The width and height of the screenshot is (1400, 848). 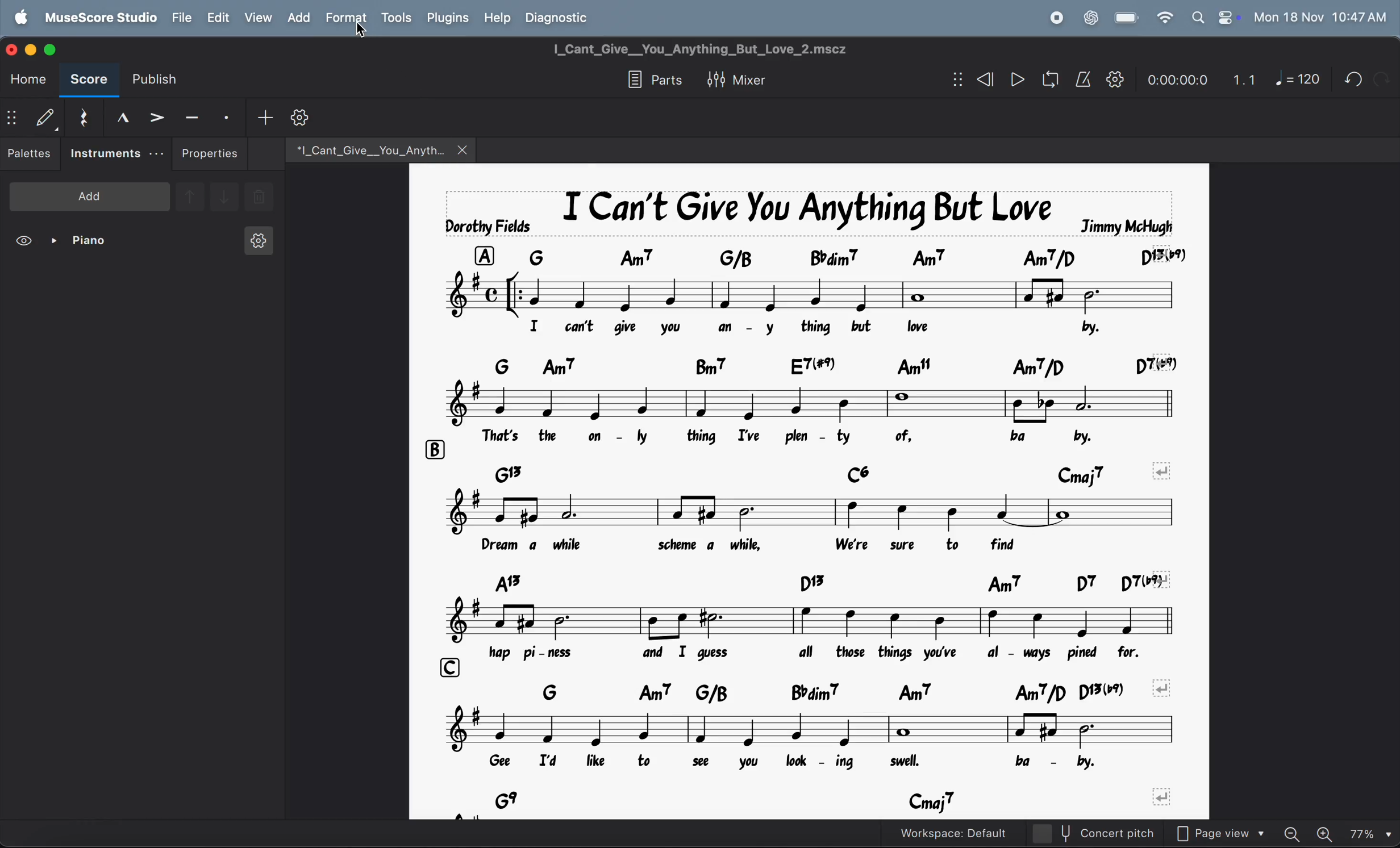 What do you see at coordinates (365, 34) in the screenshot?
I see `cursor` at bounding box center [365, 34].